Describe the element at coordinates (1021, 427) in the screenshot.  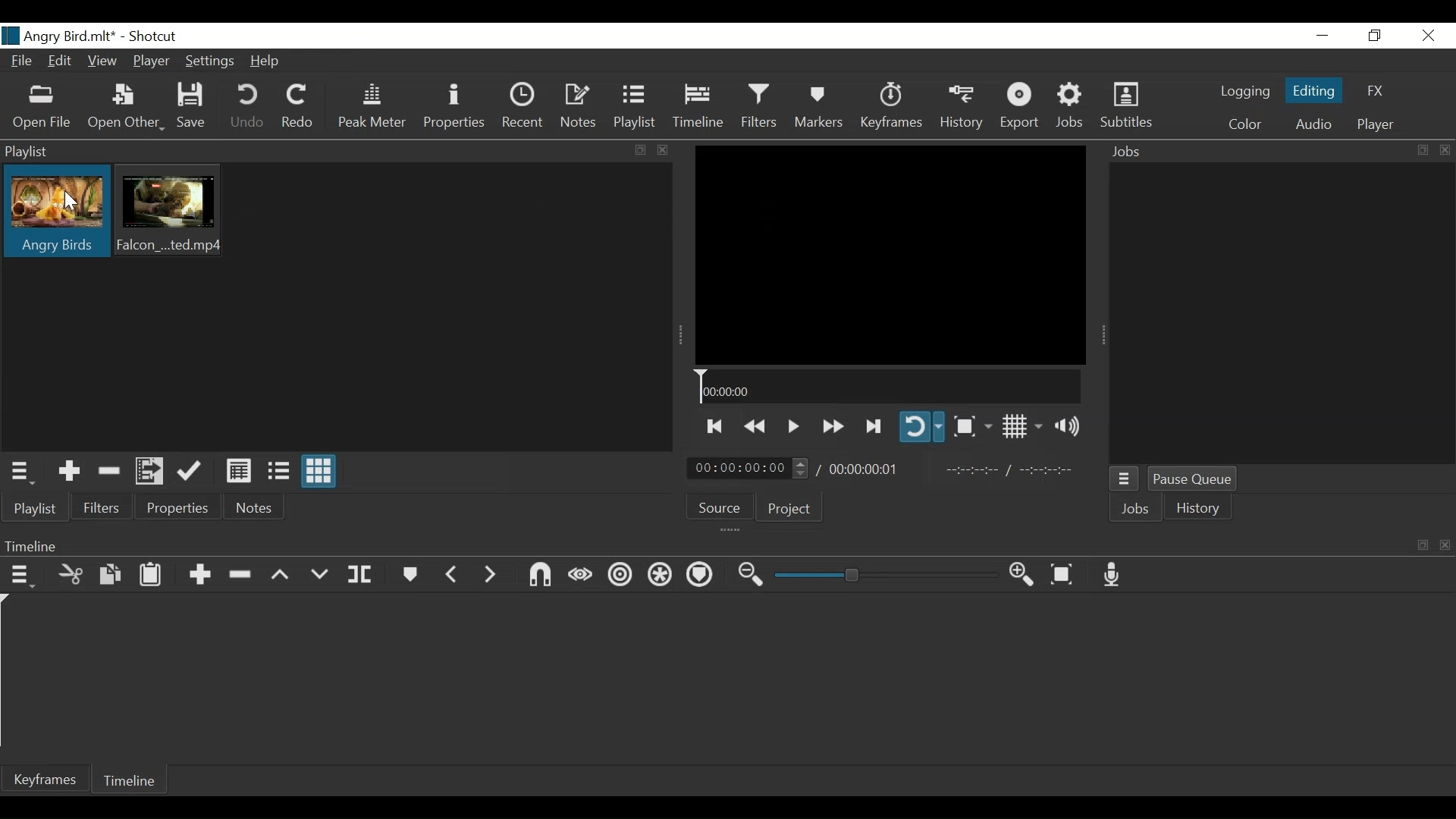
I see `Toggle display grid on player` at that location.